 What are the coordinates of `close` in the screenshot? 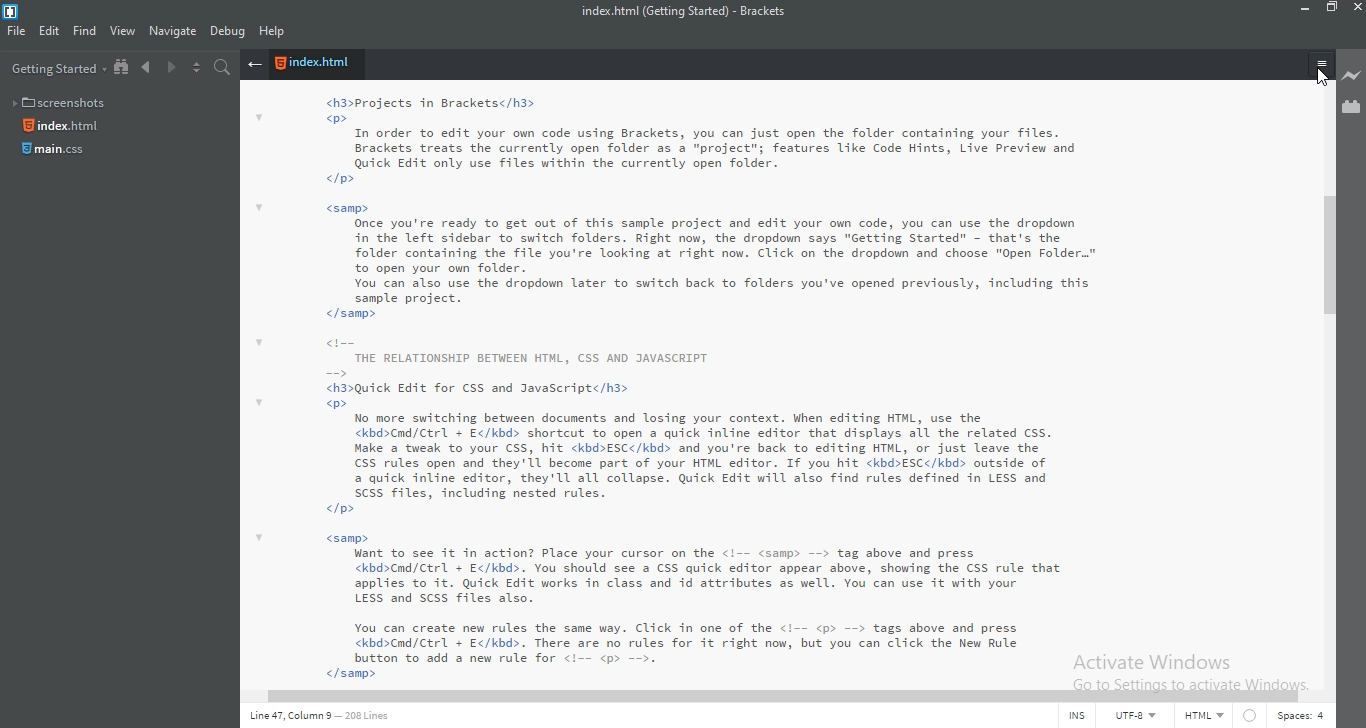 It's located at (1357, 8).